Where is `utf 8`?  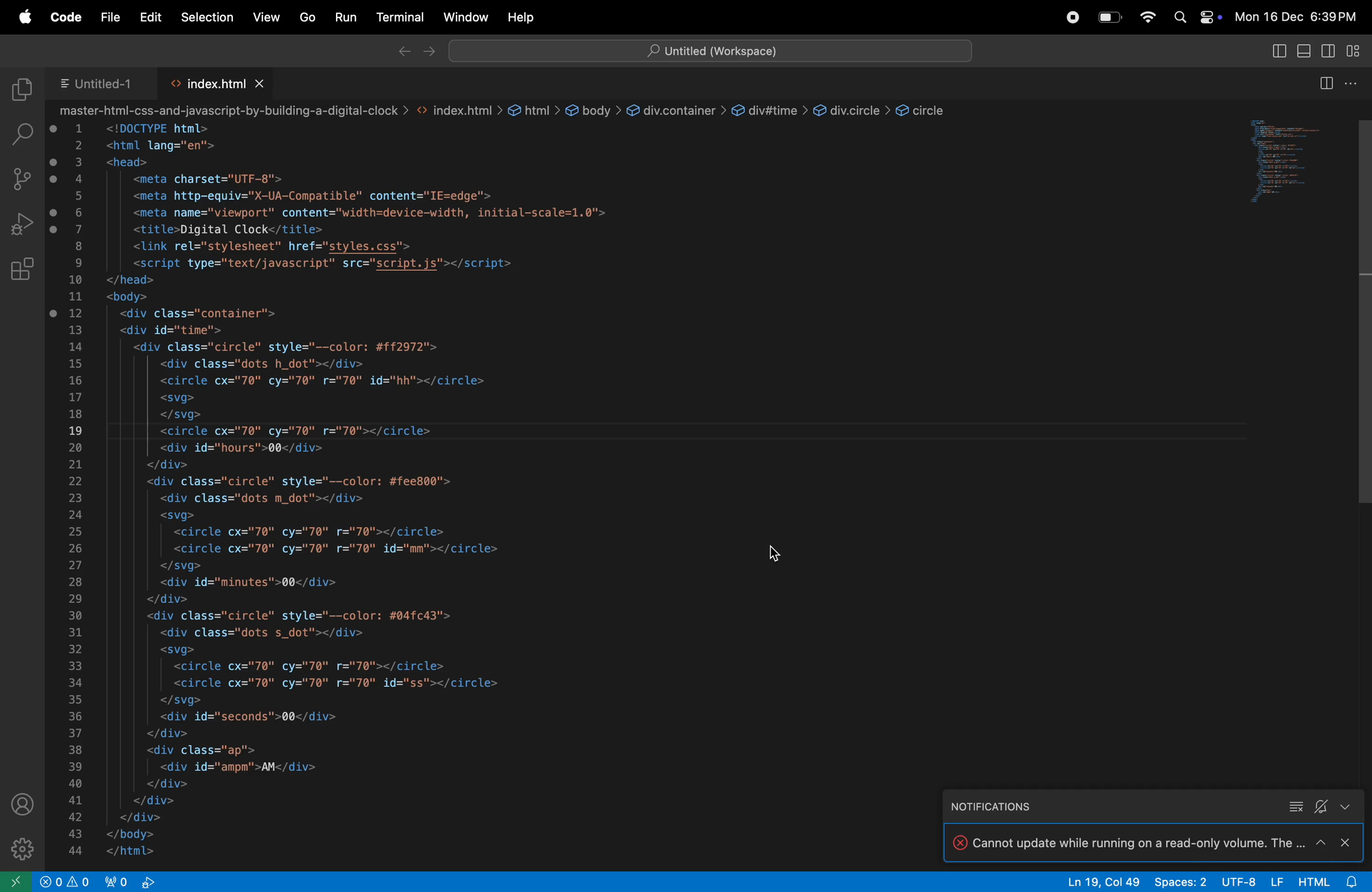 utf 8 is located at coordinates (1249, 882).